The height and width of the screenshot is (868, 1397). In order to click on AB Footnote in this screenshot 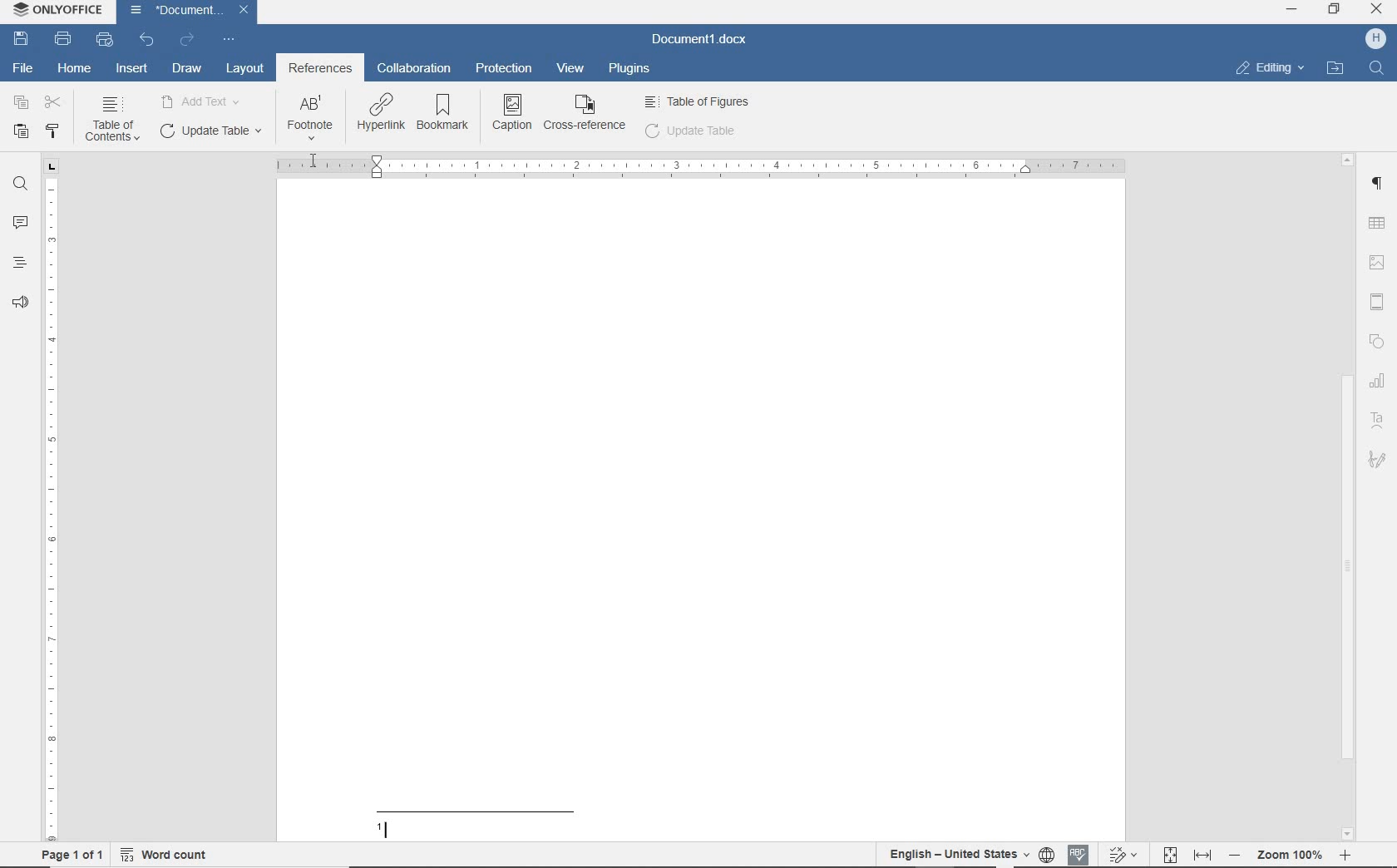, I will do `click(310, 117)`.